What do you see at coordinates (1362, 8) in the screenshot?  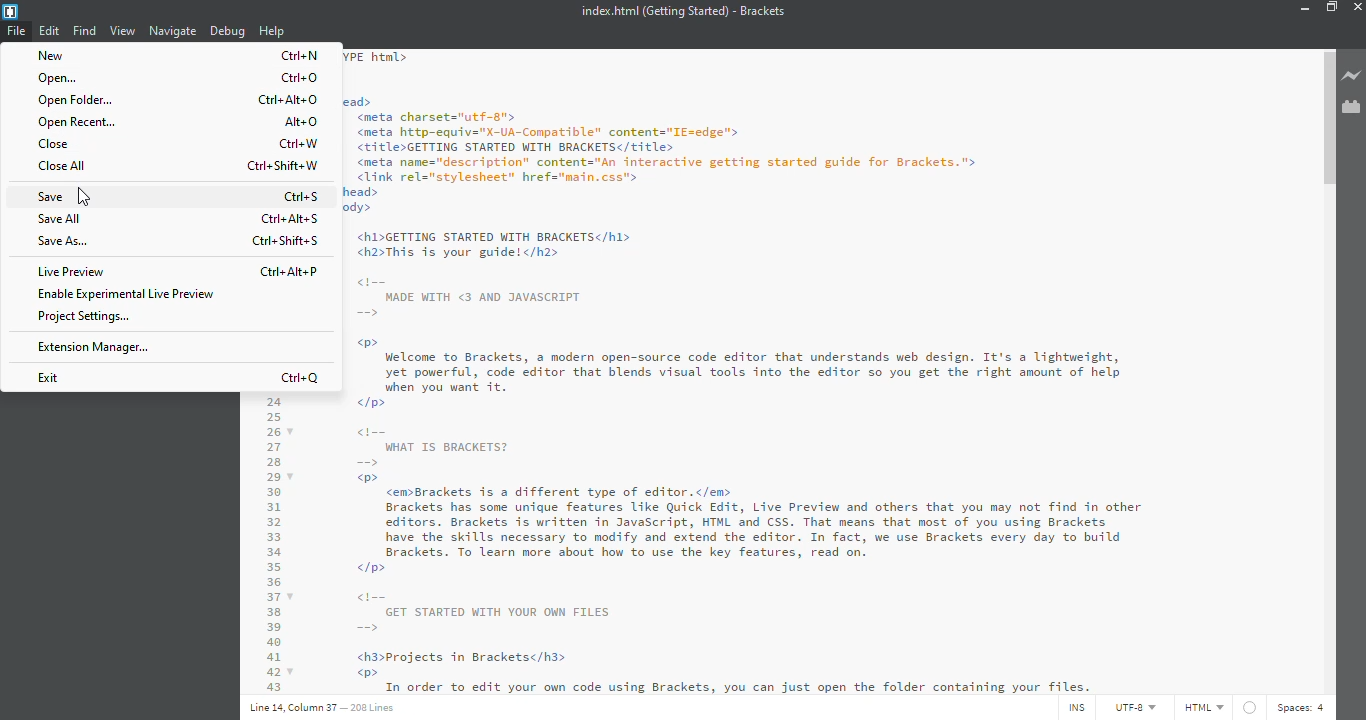 I see `close` at bounding box center [1362, 8].